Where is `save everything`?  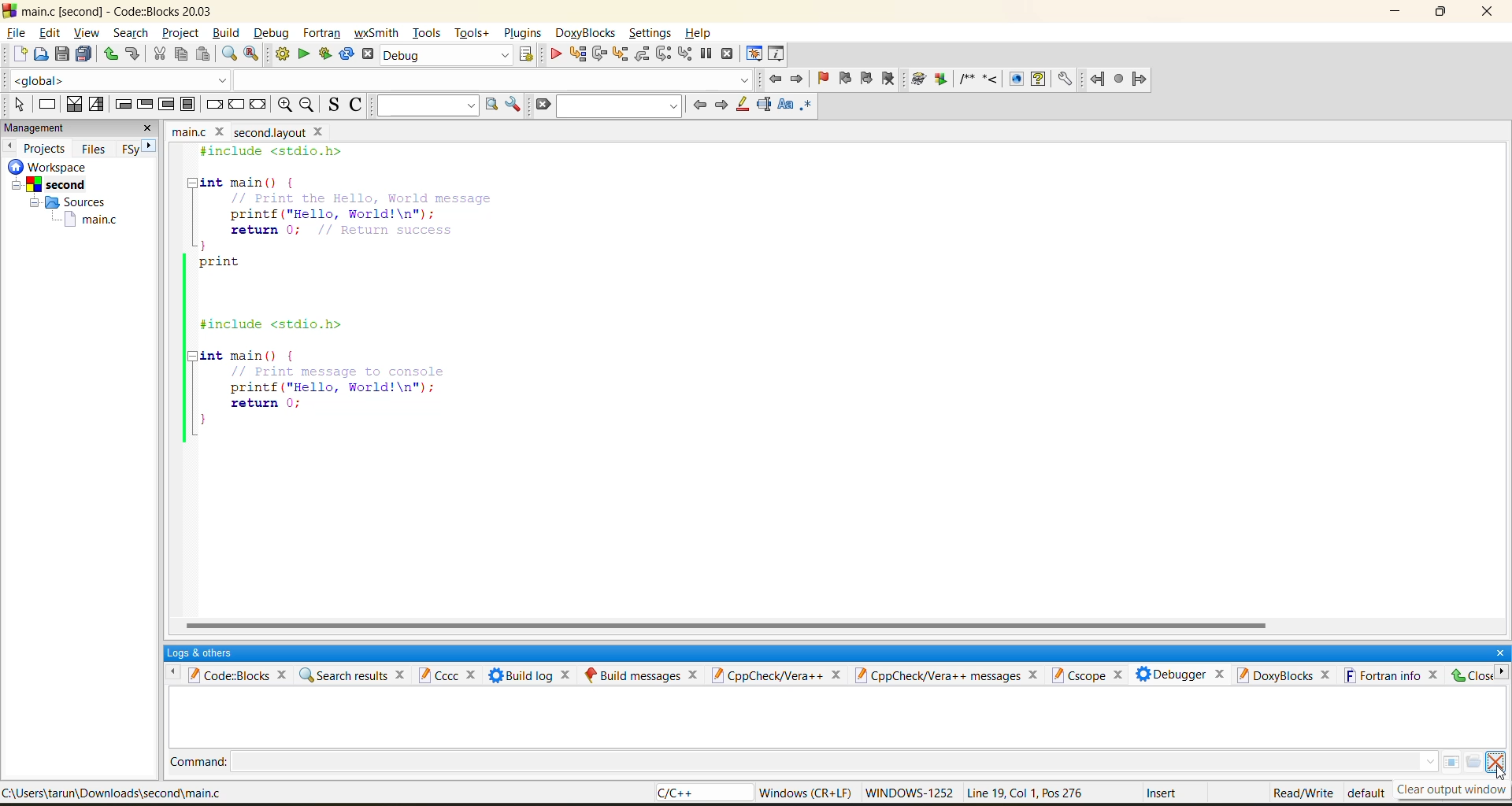
save everything is located at coordinates (83, 55).